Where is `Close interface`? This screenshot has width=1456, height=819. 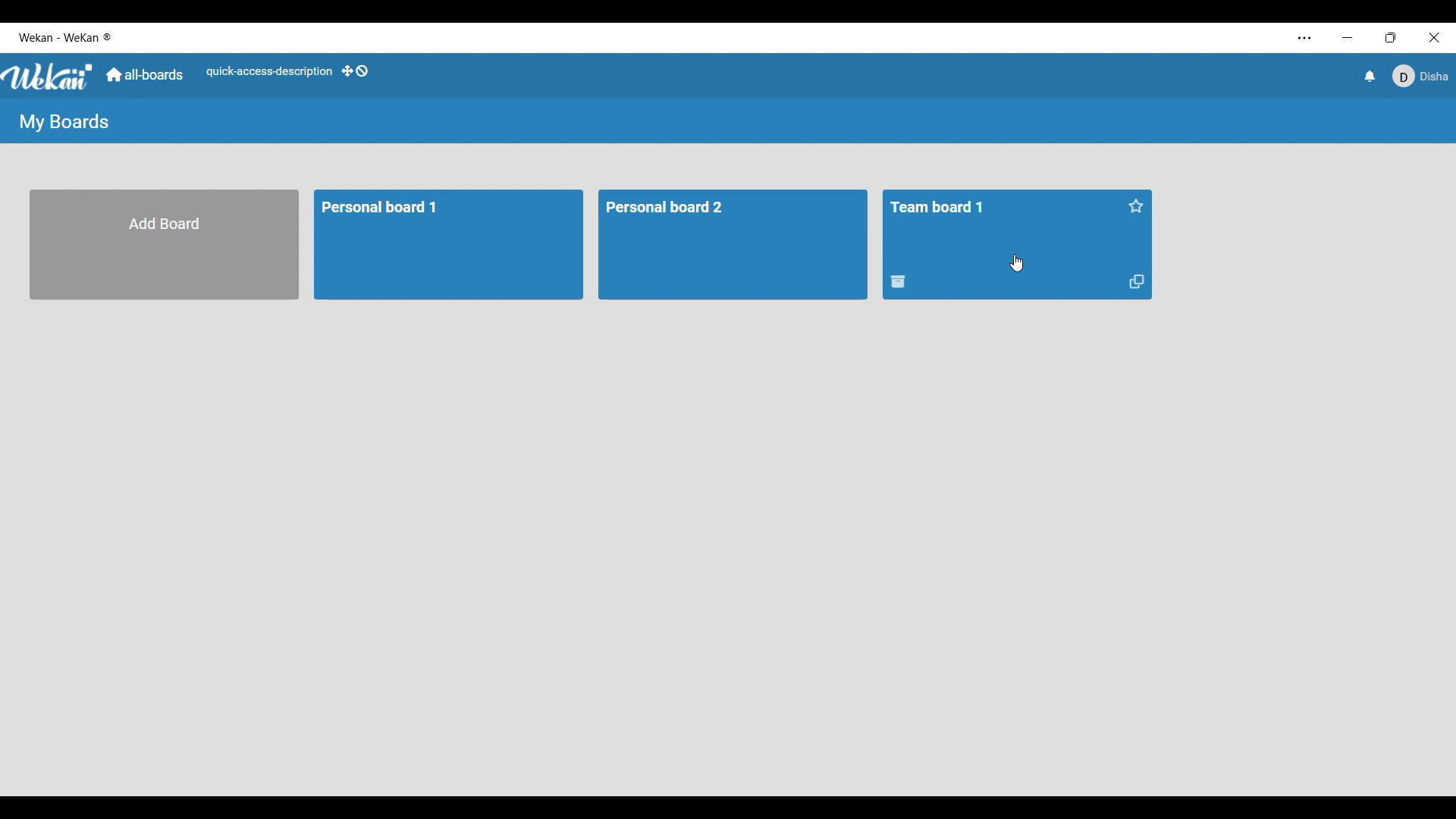 Close interface is located at coordinates (1435, 38).